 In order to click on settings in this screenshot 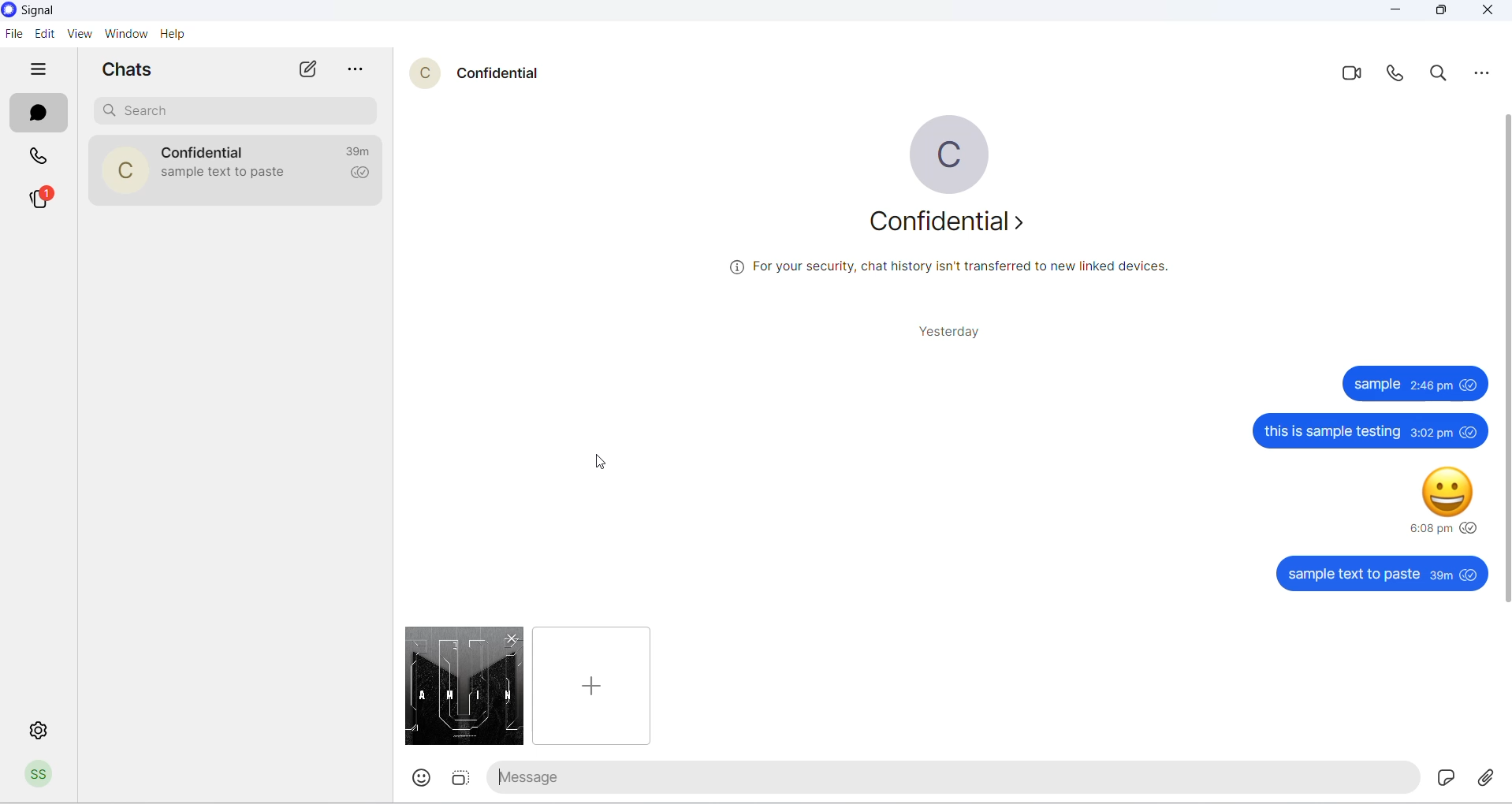, I will do `click(35, 728)`.